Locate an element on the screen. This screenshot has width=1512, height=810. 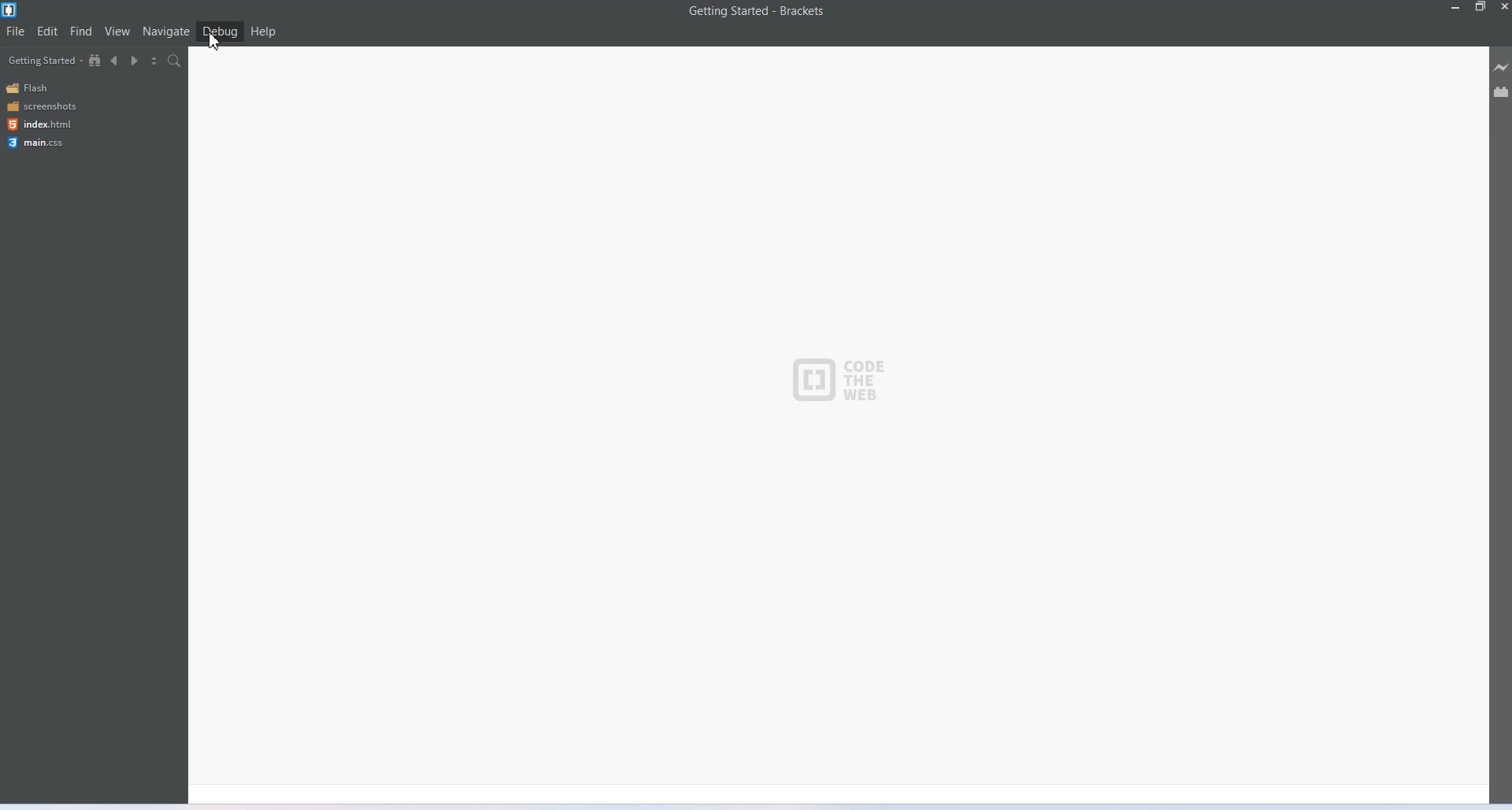
Find in files is located at coordinates (176, 60).